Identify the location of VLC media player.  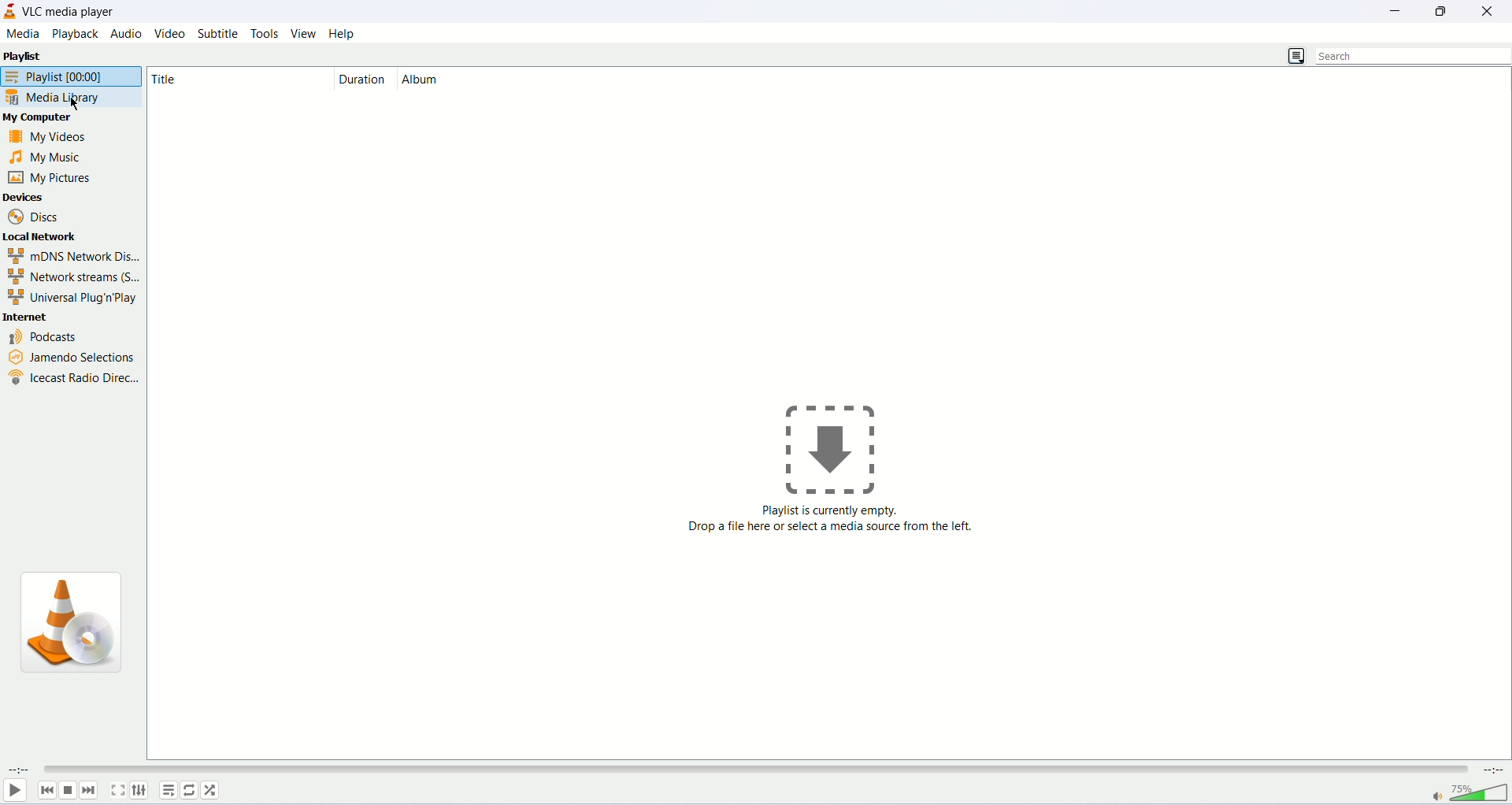
(72, 11).